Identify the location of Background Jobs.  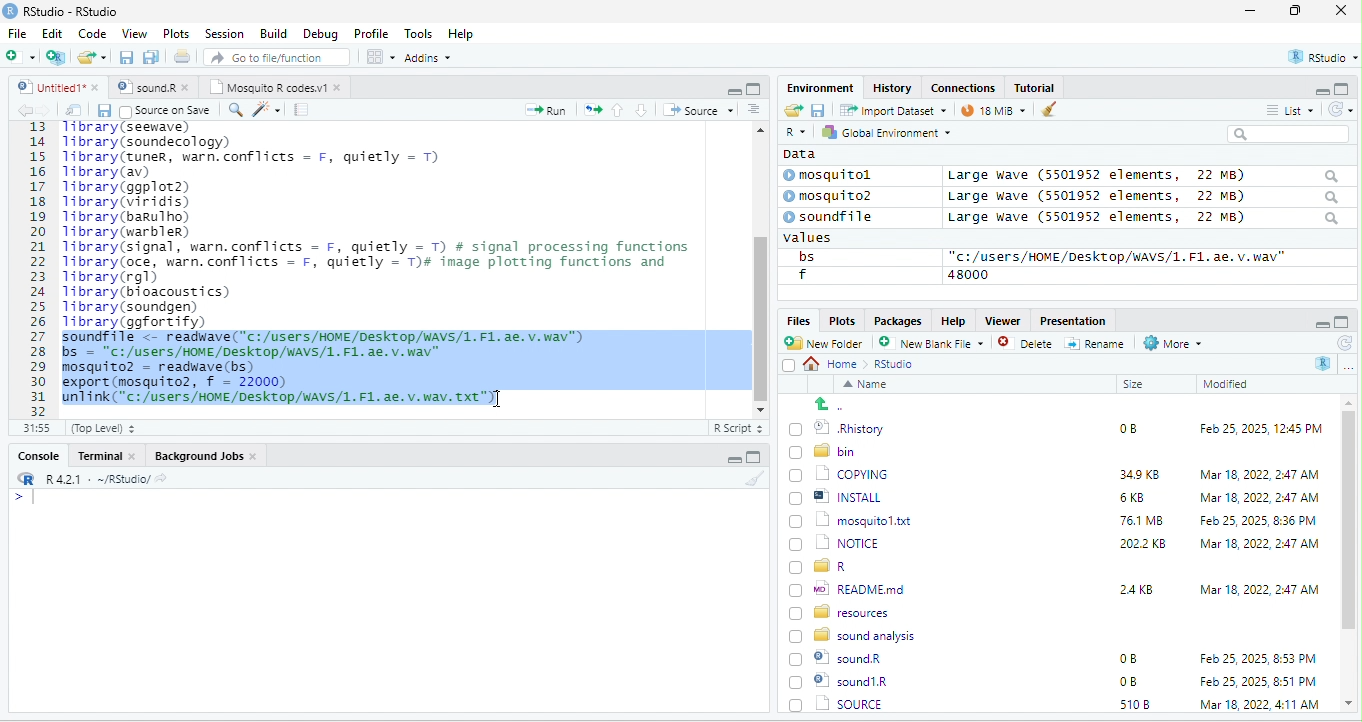
(205, 455).